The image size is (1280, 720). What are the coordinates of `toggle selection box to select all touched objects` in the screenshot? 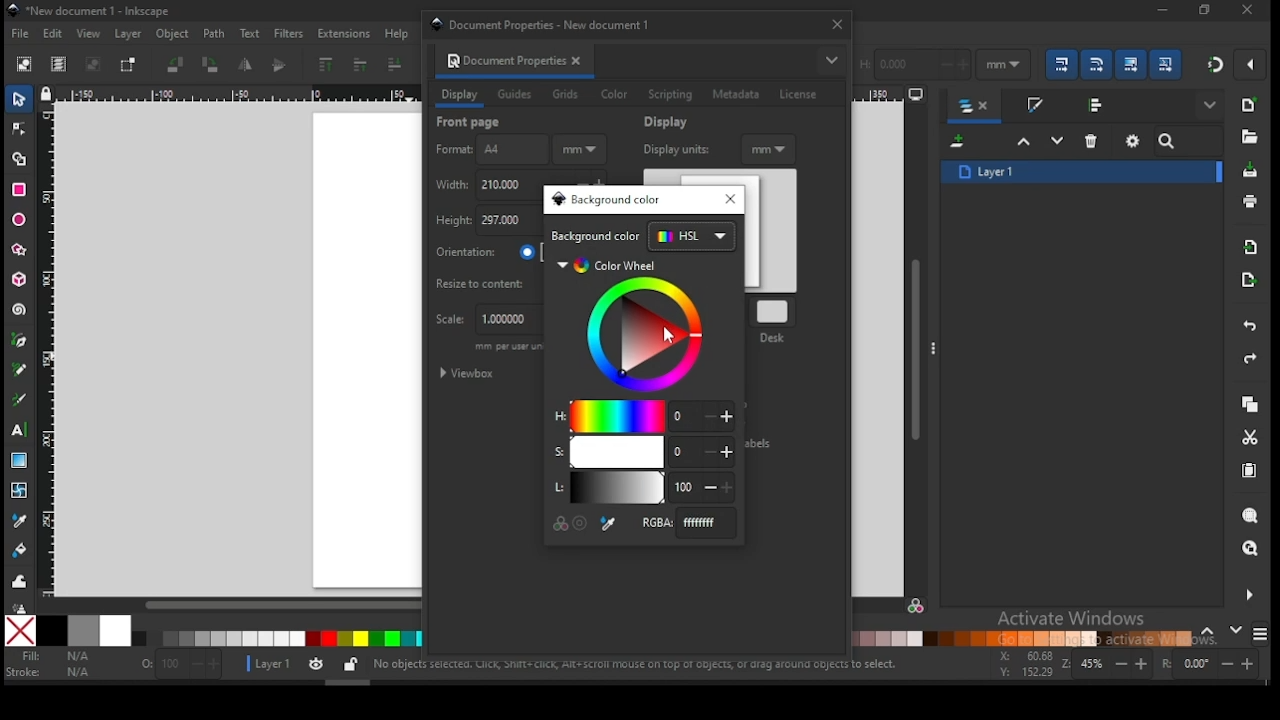 It's located at (128, 65).